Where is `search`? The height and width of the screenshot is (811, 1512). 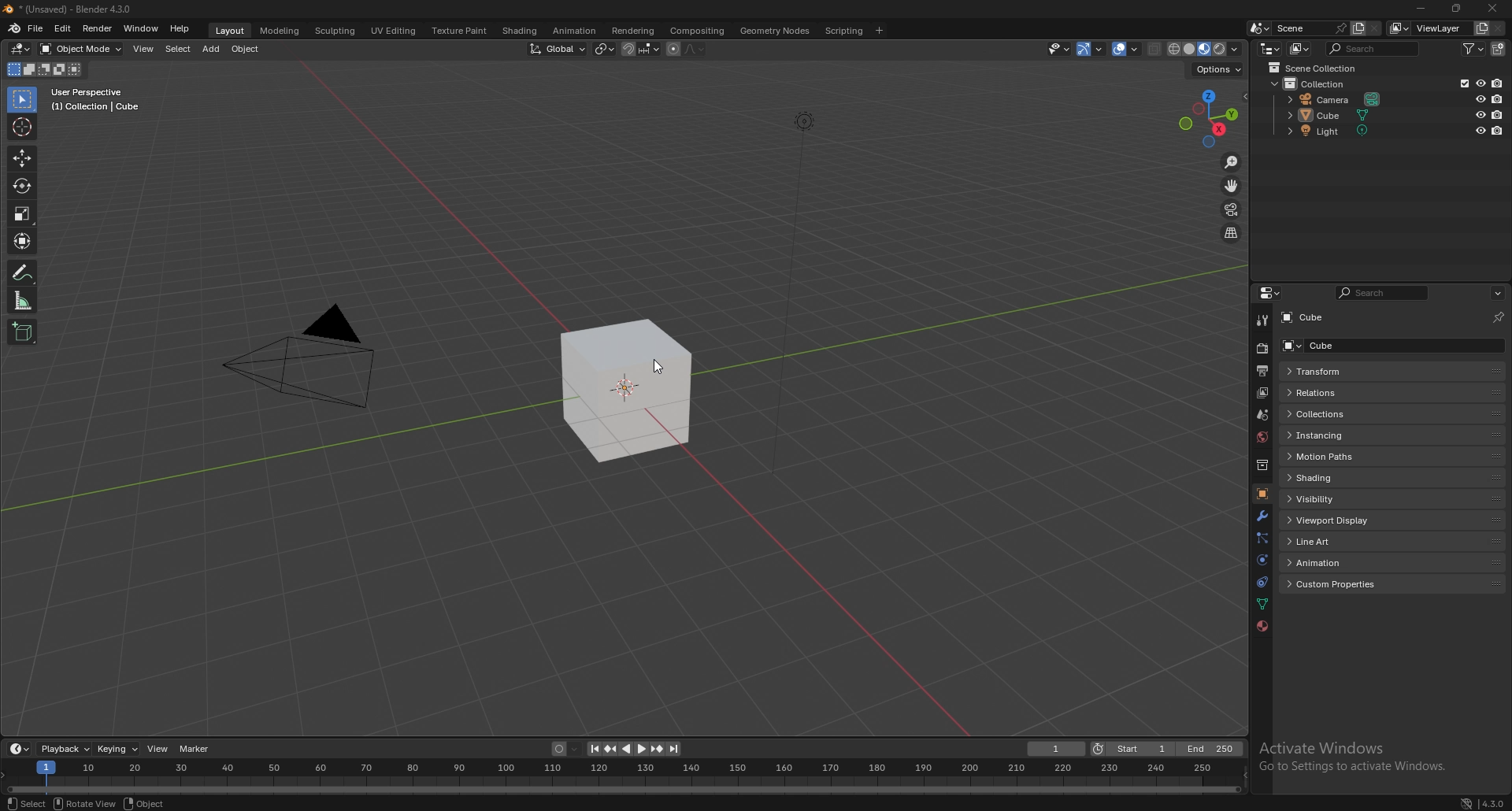 search is located at coordinates (1381, 292).